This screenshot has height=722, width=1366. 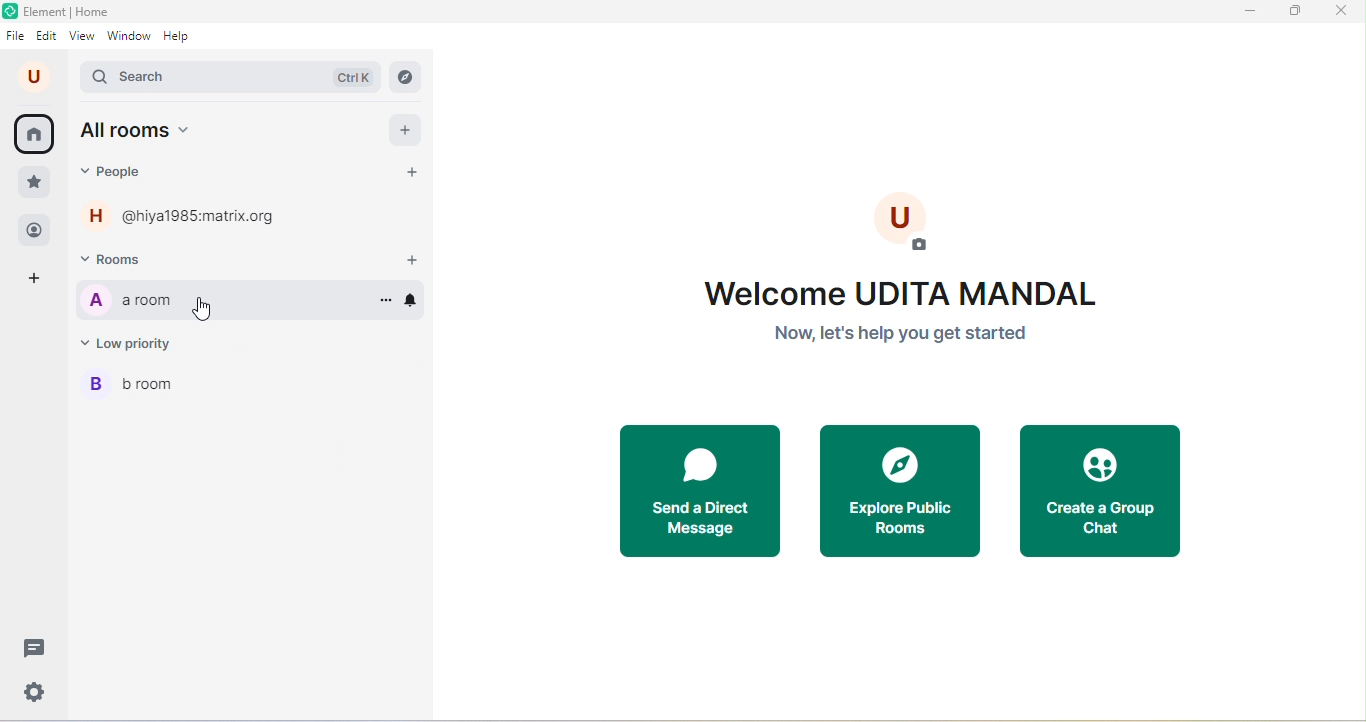 I want to click on welcome Udita Mandal Now, Let's help you get started , so click(x=919, y=315).